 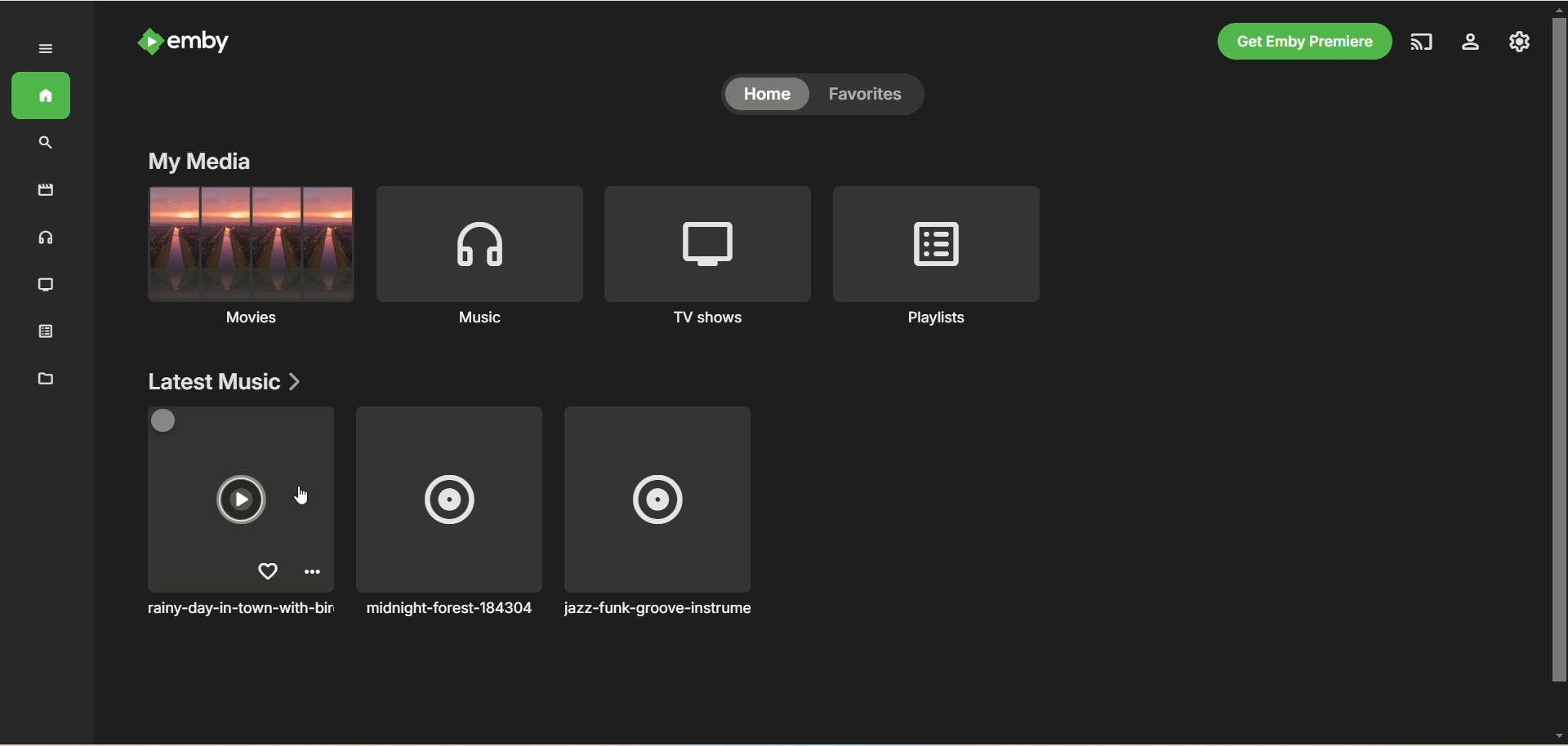 What do you see at coordinates (297, 496) in the screenshot?
I see `cursor` at bounding box center [297, 496].